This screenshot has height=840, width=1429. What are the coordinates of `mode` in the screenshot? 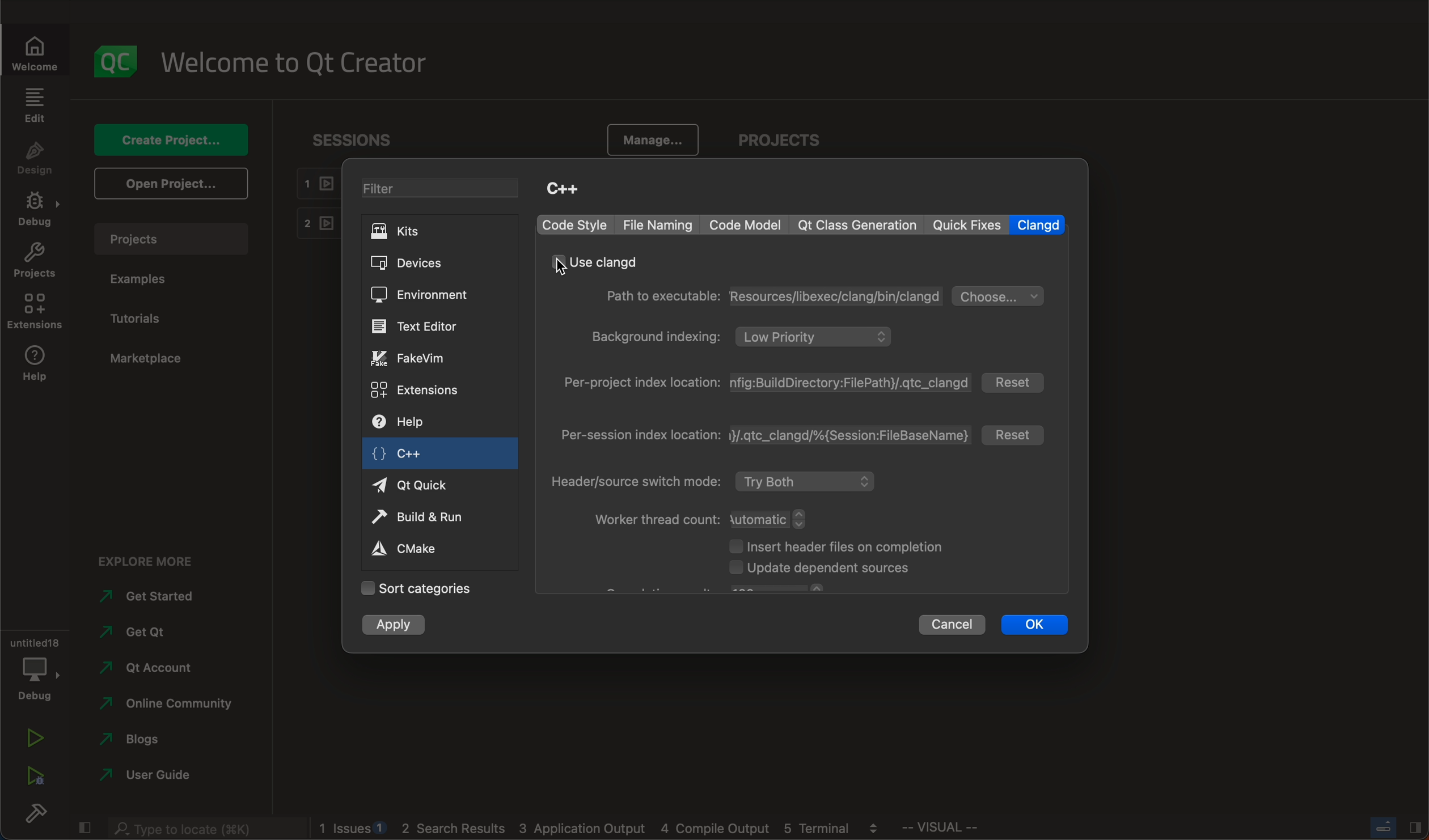 It's located at (718, 483).